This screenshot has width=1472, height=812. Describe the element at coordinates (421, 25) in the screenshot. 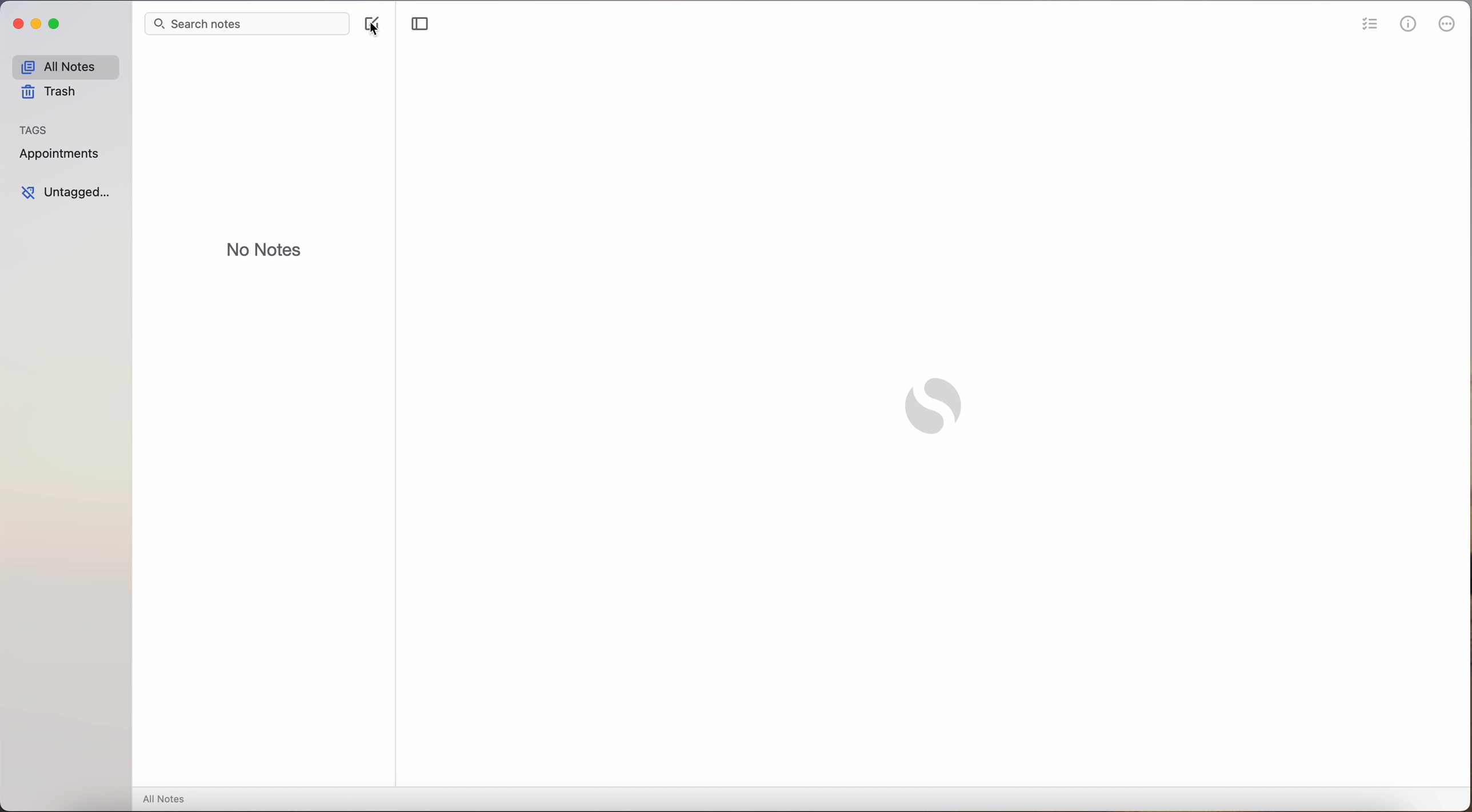

I see `toggle sidebar` at that location.